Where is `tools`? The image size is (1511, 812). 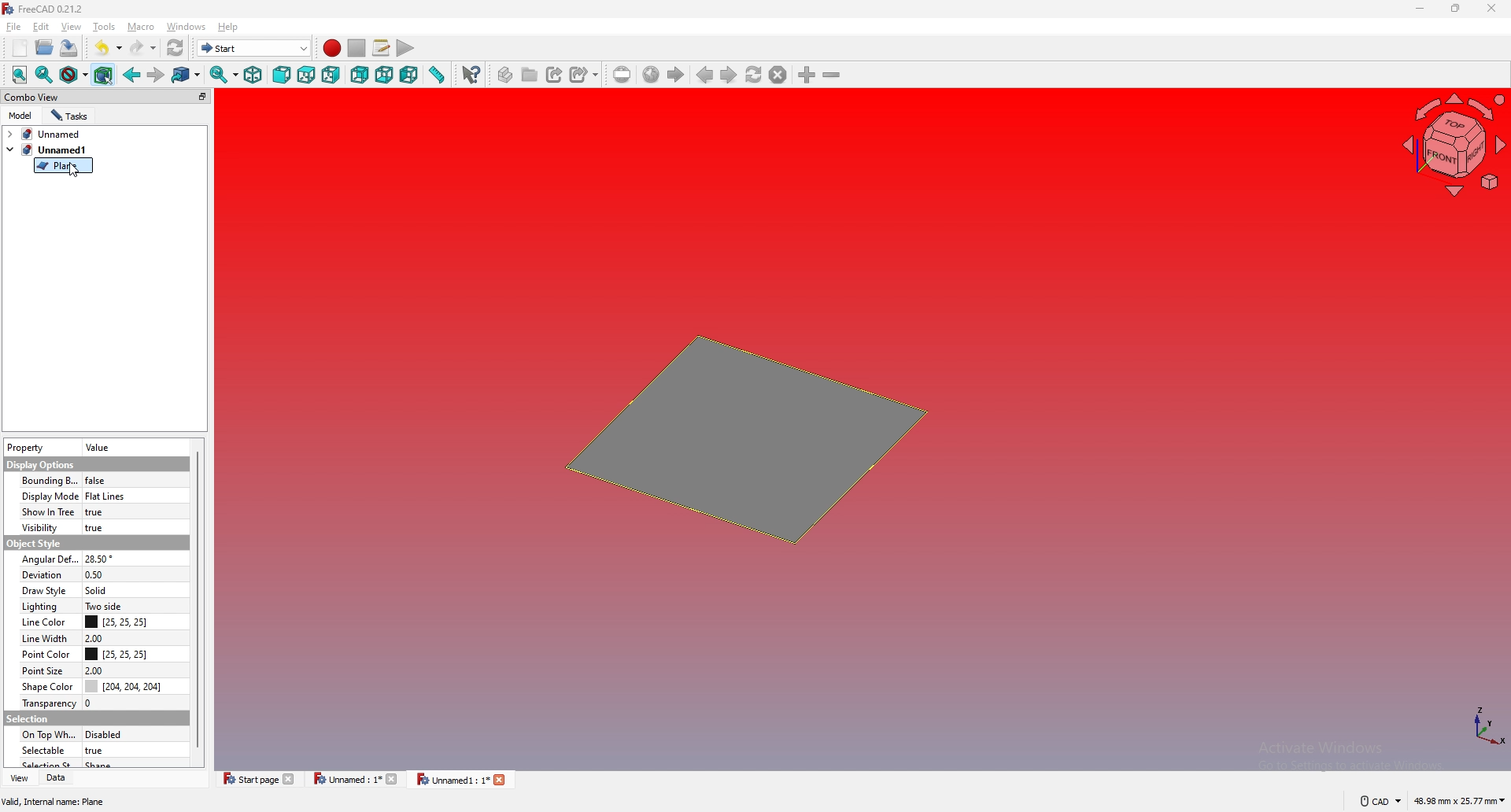
tools is located at coordinates (104, 26).